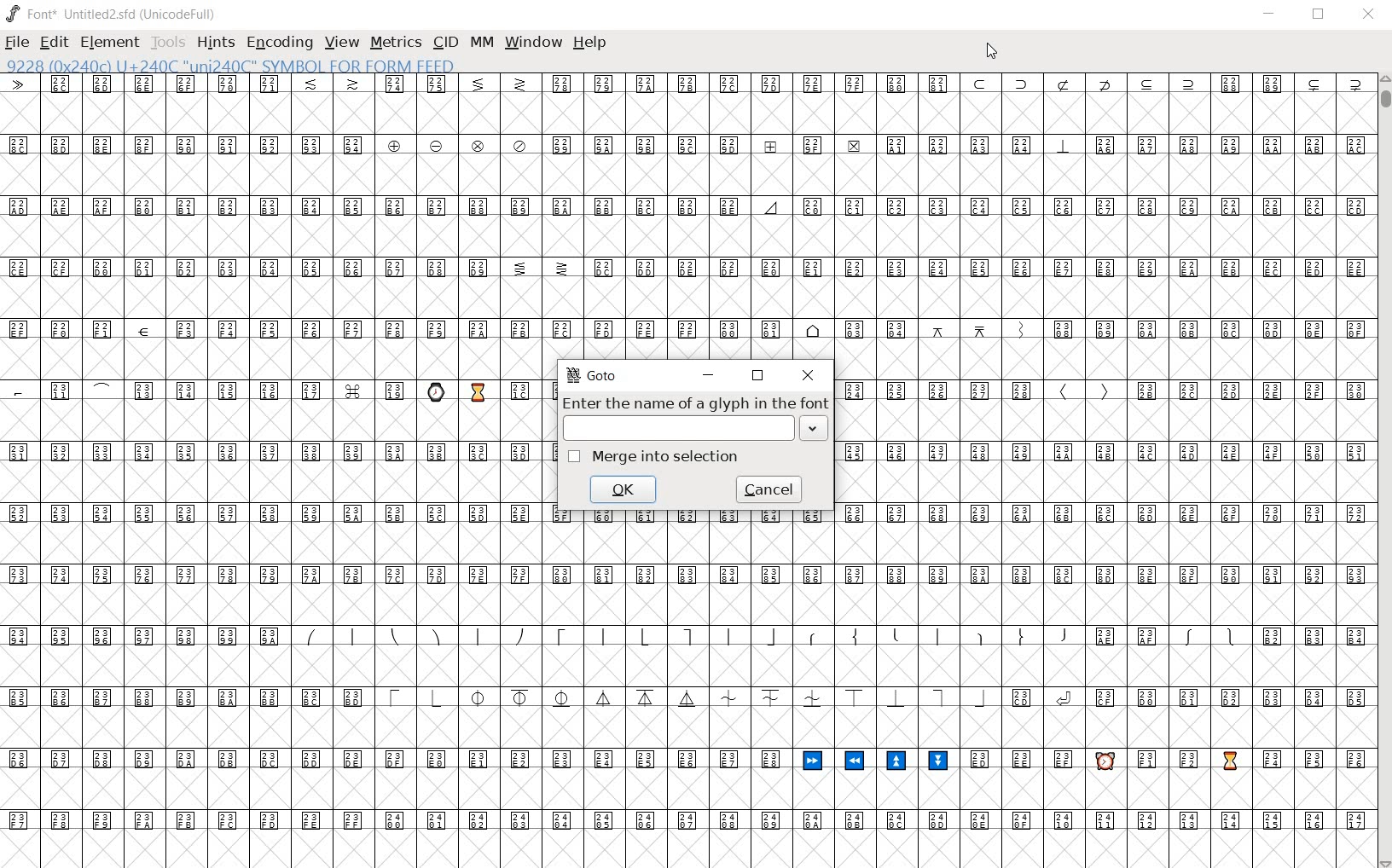 The image size is (1392, 868). What do you see at coordinates (1104, 411) in the screenshot?
I see `glyphs characters` at bounding box center [1104, 411].